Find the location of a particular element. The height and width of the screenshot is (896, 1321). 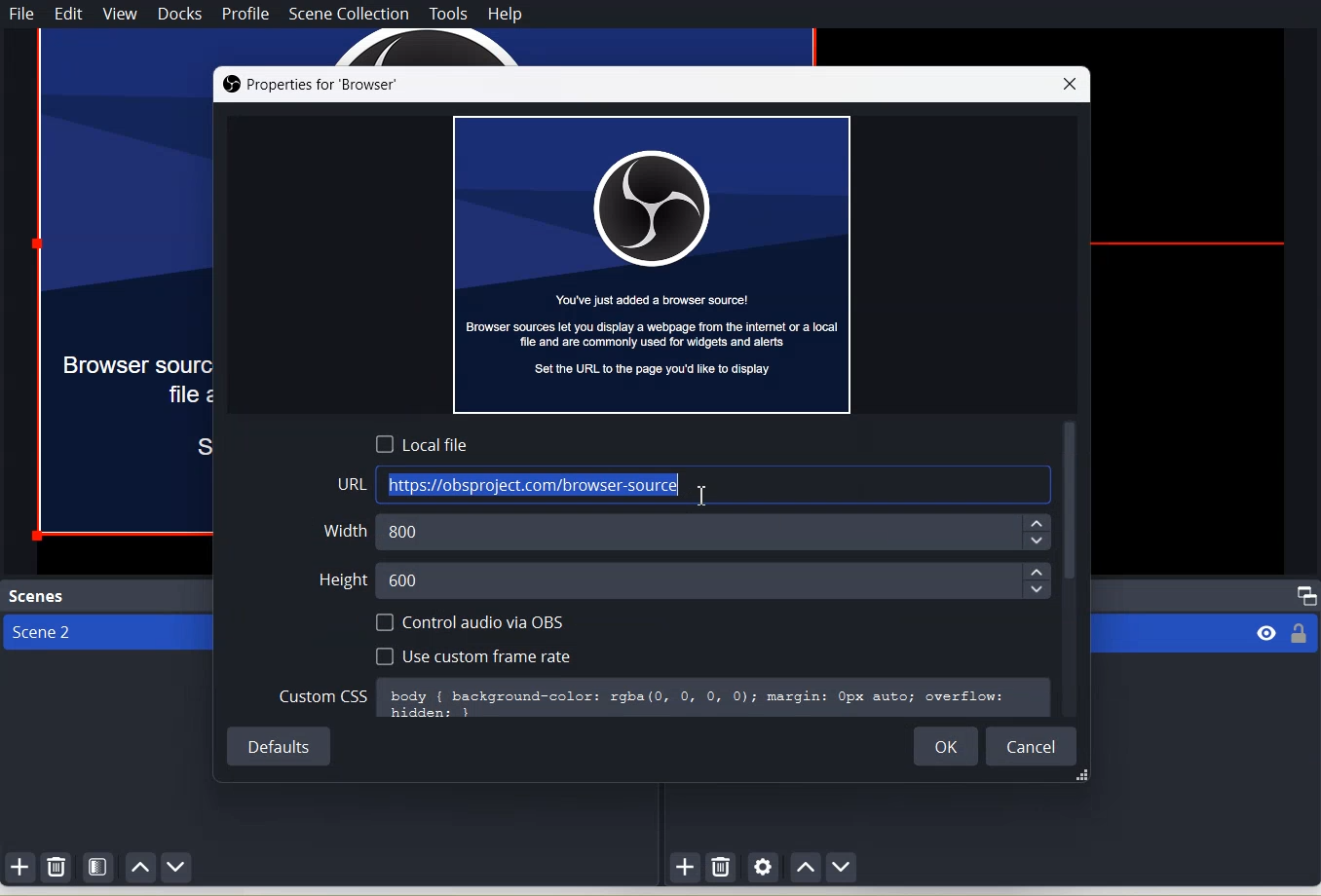

Add Scene is located at coordinates (19, 866).